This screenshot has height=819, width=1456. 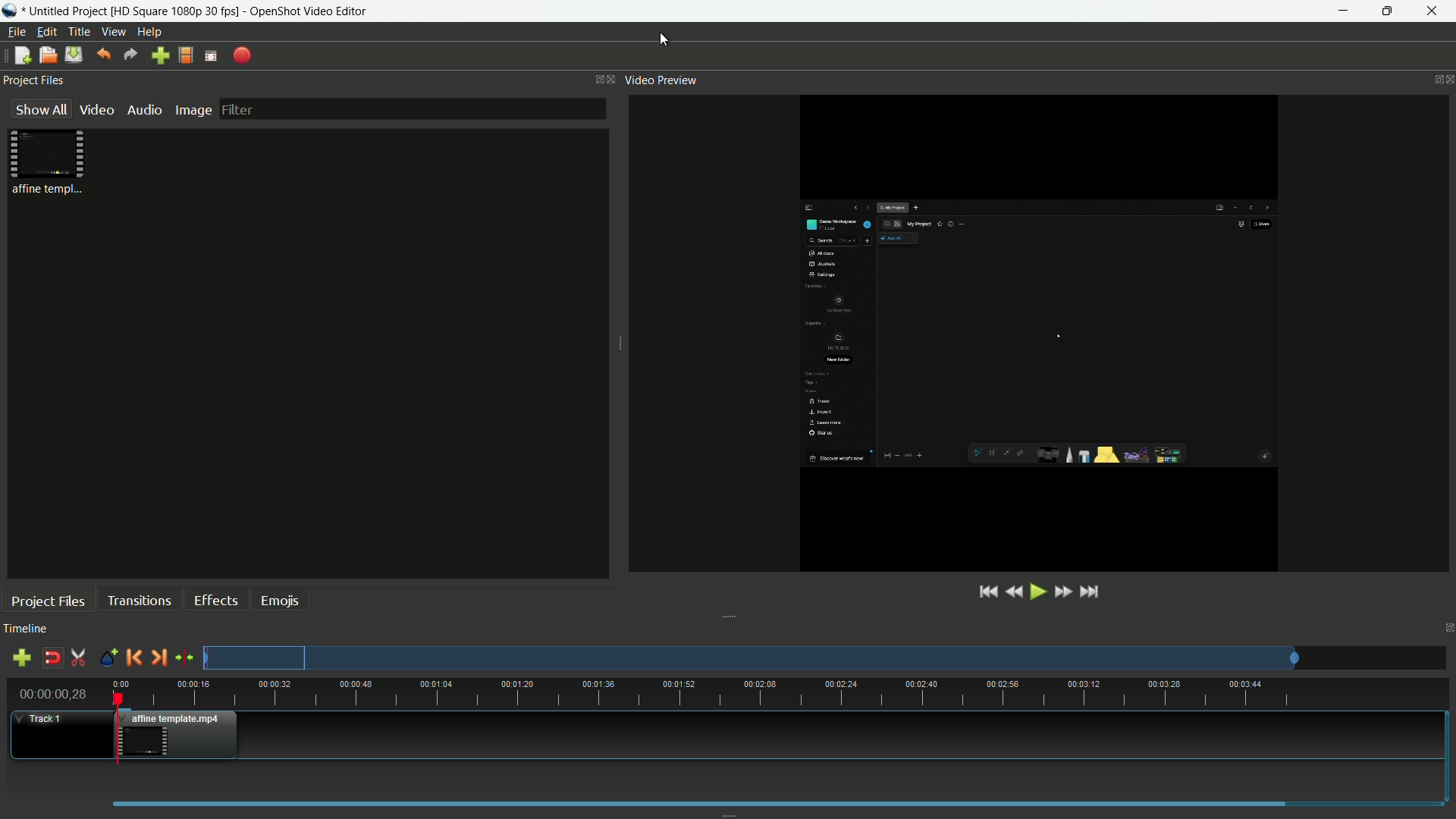 What do you see at coordinates (1062, 593) in the screenshot?
I see `fast forward` at bounding box center [1062, 593].